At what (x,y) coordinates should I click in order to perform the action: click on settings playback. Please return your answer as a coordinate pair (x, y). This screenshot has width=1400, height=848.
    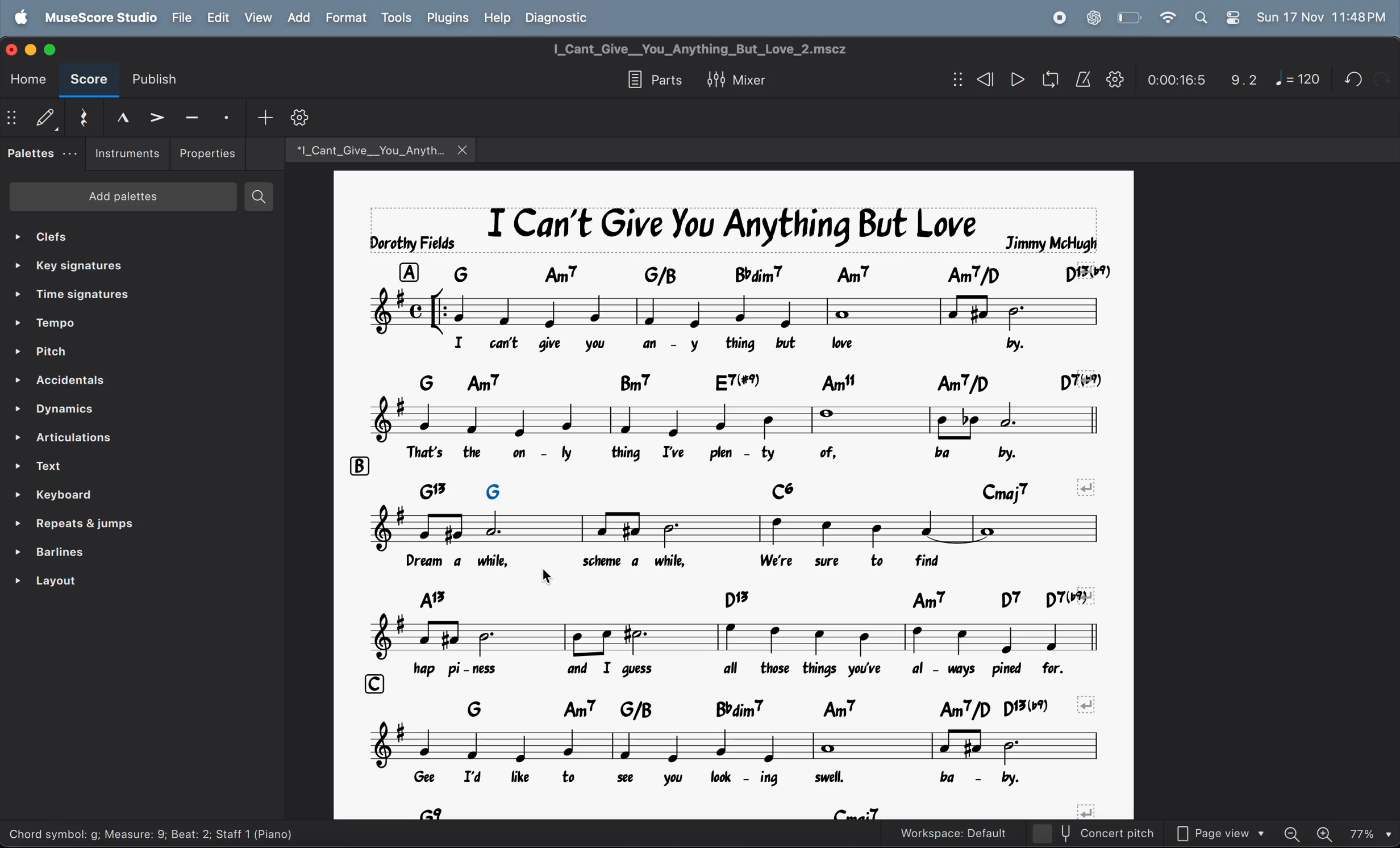
    Looking at the image, I should click on (1116, 79).